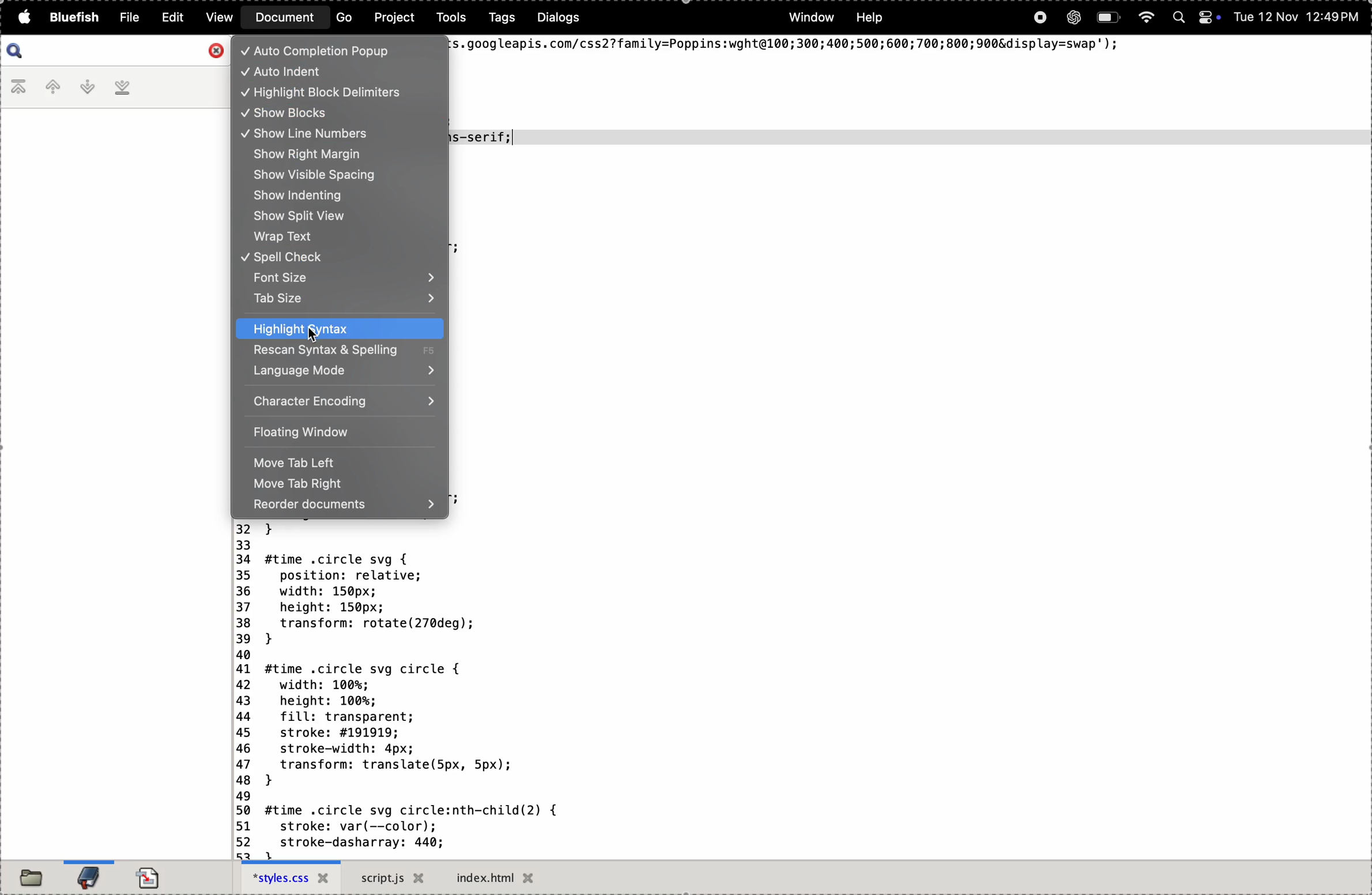 This screenshot has width=1372, height=895. Describe the element at coordinates (1146, 18) in the screenshot. I see `wifi` at that location.